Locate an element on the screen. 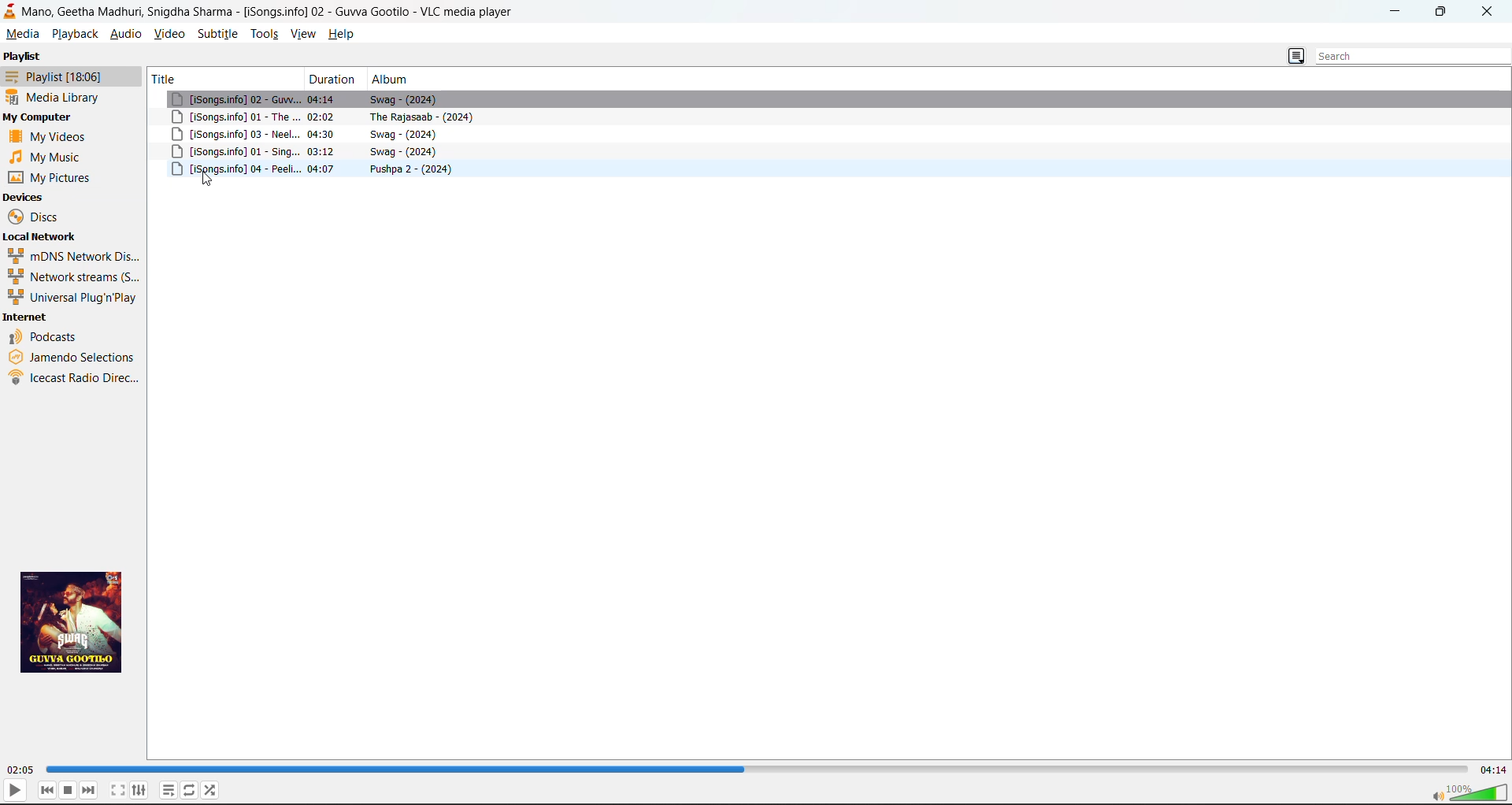 Image resolution: width=1512 pixels, height=805 pixels. music is located at coordinates (48, 157).